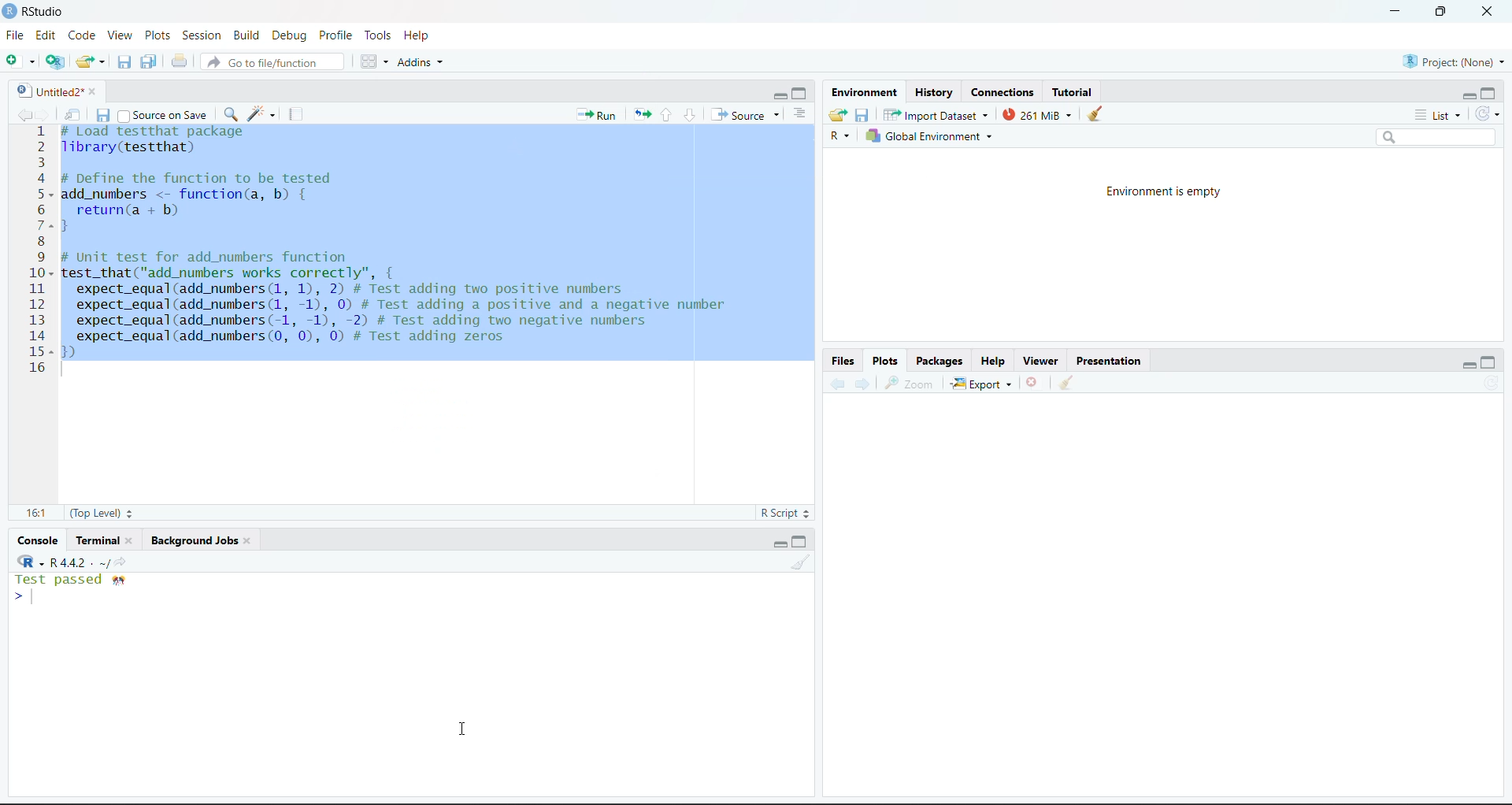 The image size is (1512, 805). Describe the element at coordinates (39, 252) in the screenshot. I see `Numbering line` at that location.